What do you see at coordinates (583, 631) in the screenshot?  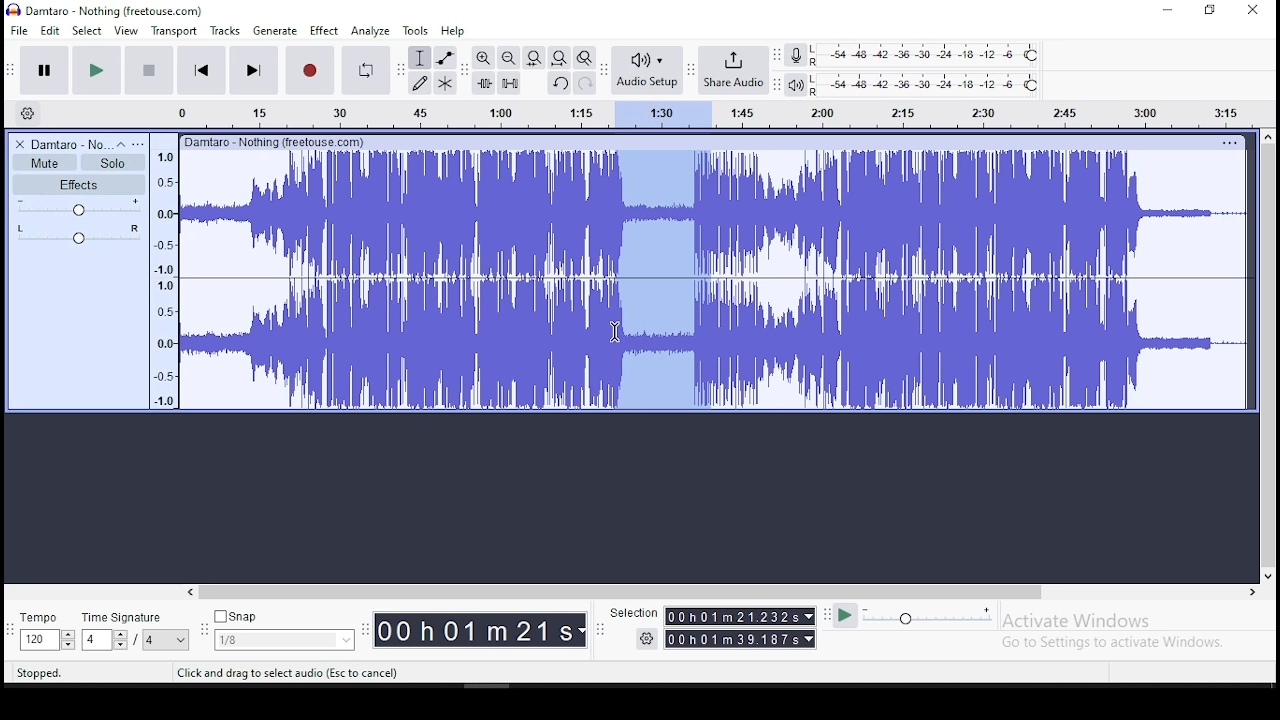 I see `drop down` at bounding box center [583, 631].